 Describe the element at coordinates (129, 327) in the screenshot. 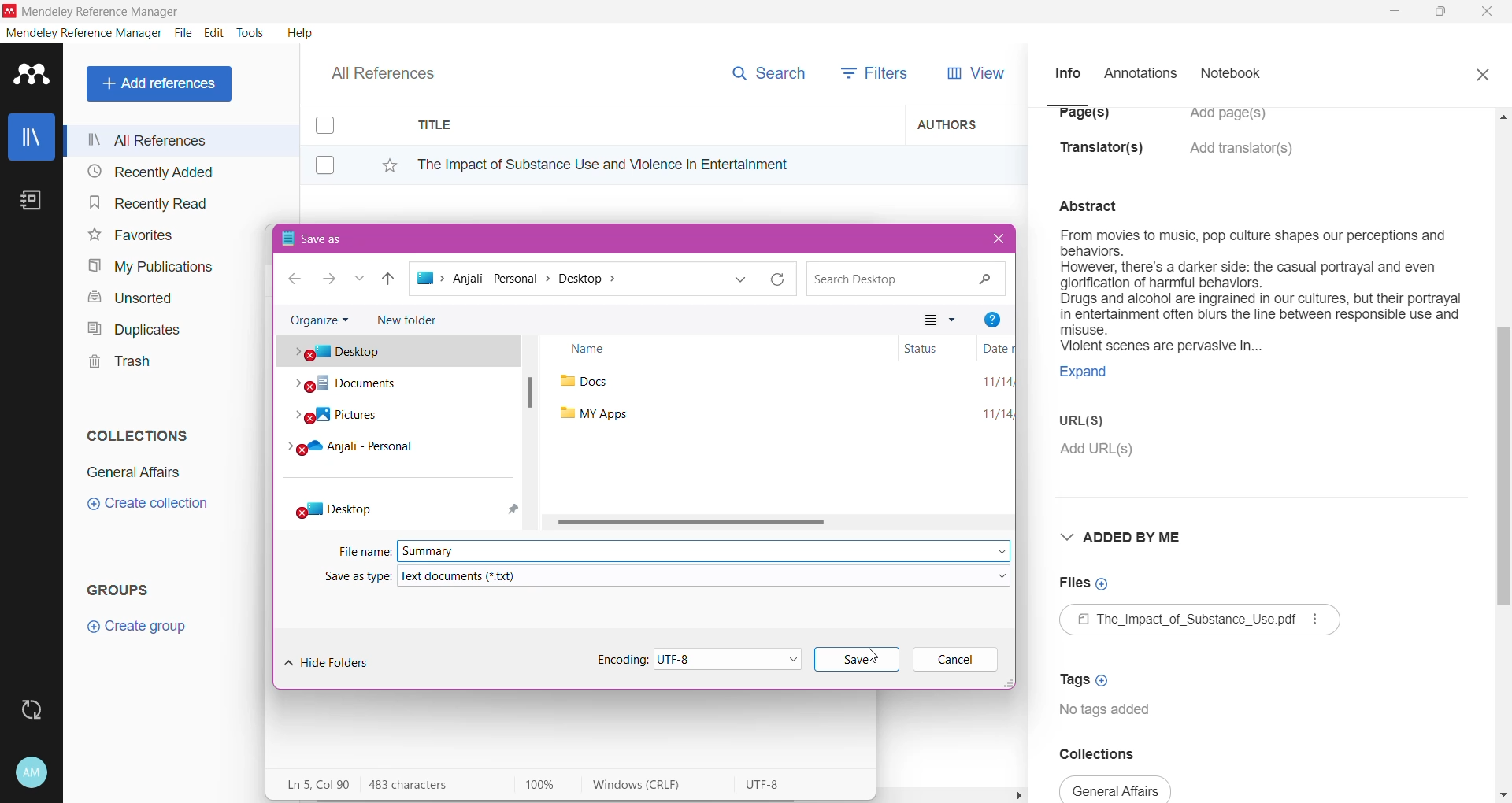

I see `Duplicates` at that location.